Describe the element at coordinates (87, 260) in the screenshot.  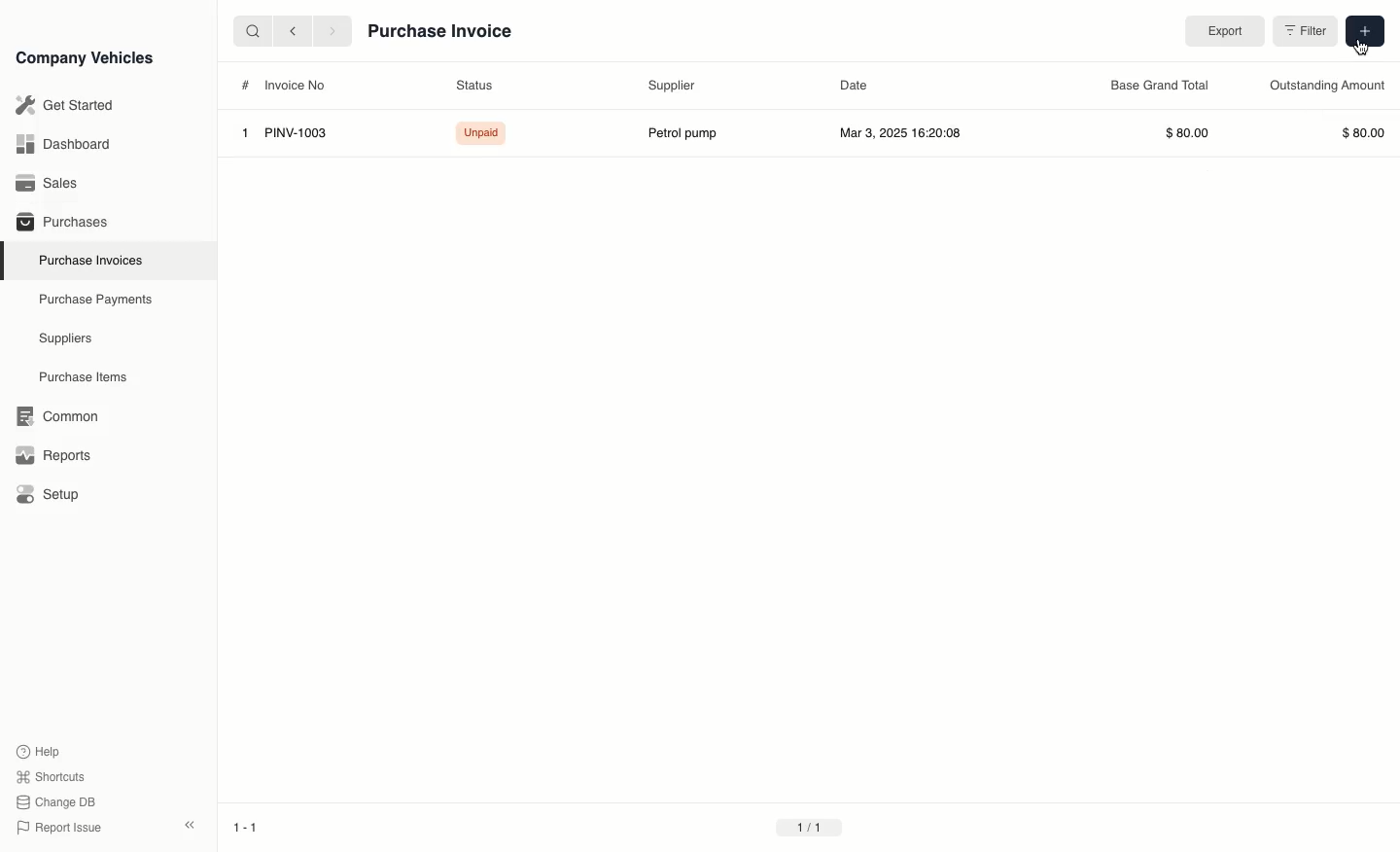
I see `Purchase Invoices` at that location.